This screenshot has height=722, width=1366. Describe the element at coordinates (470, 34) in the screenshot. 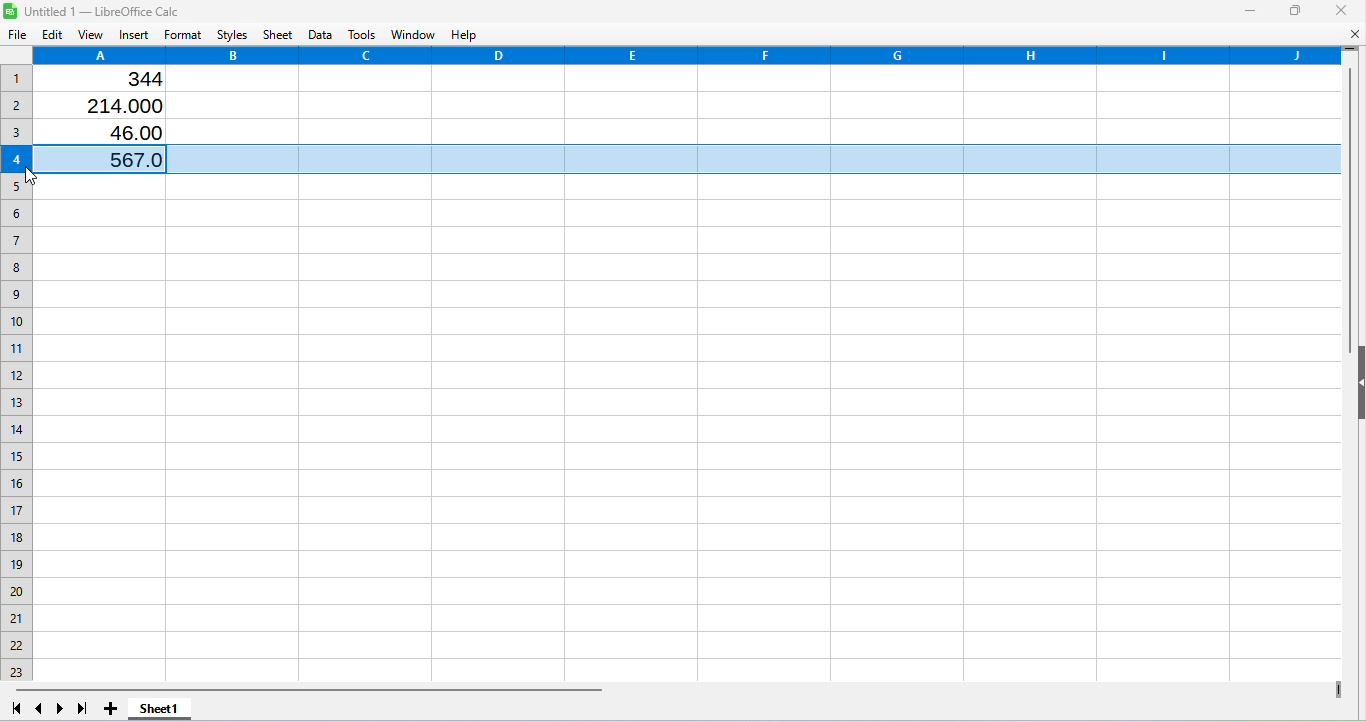

I see `Help` at that location.